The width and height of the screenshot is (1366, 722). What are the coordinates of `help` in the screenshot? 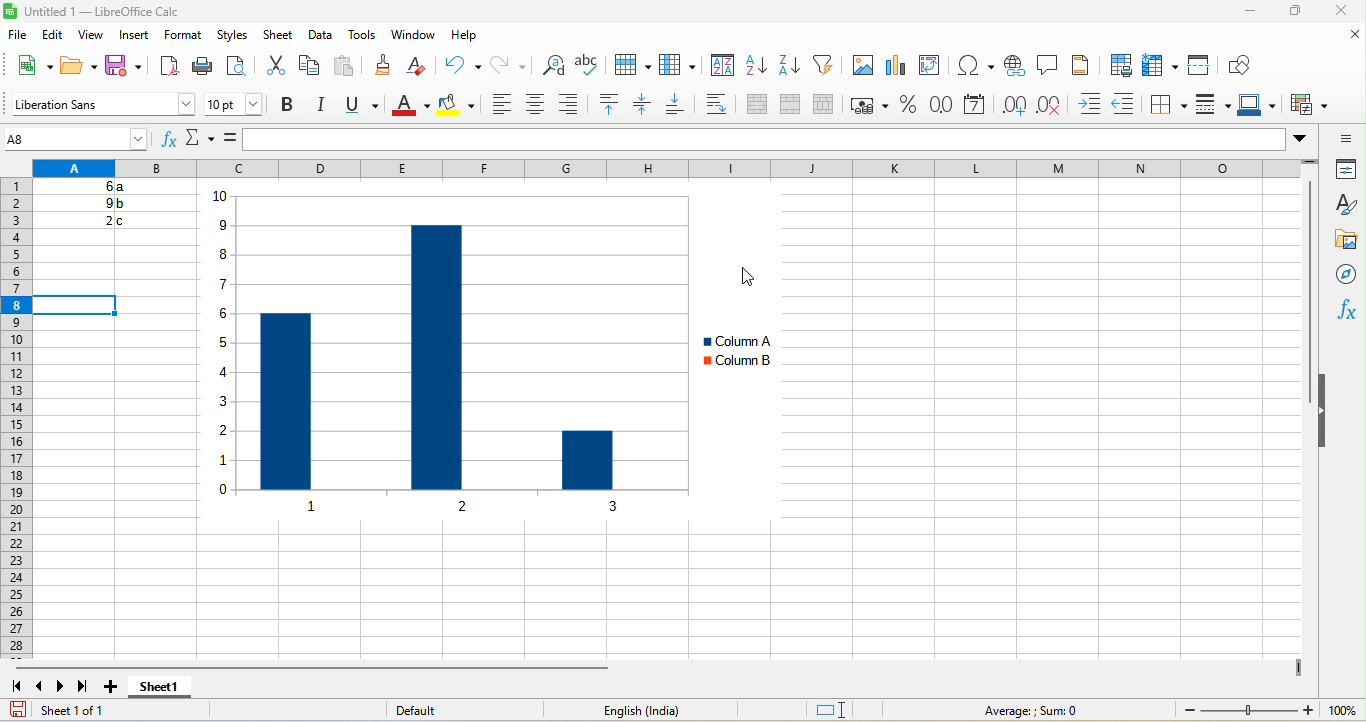 It's located at (465, 35).